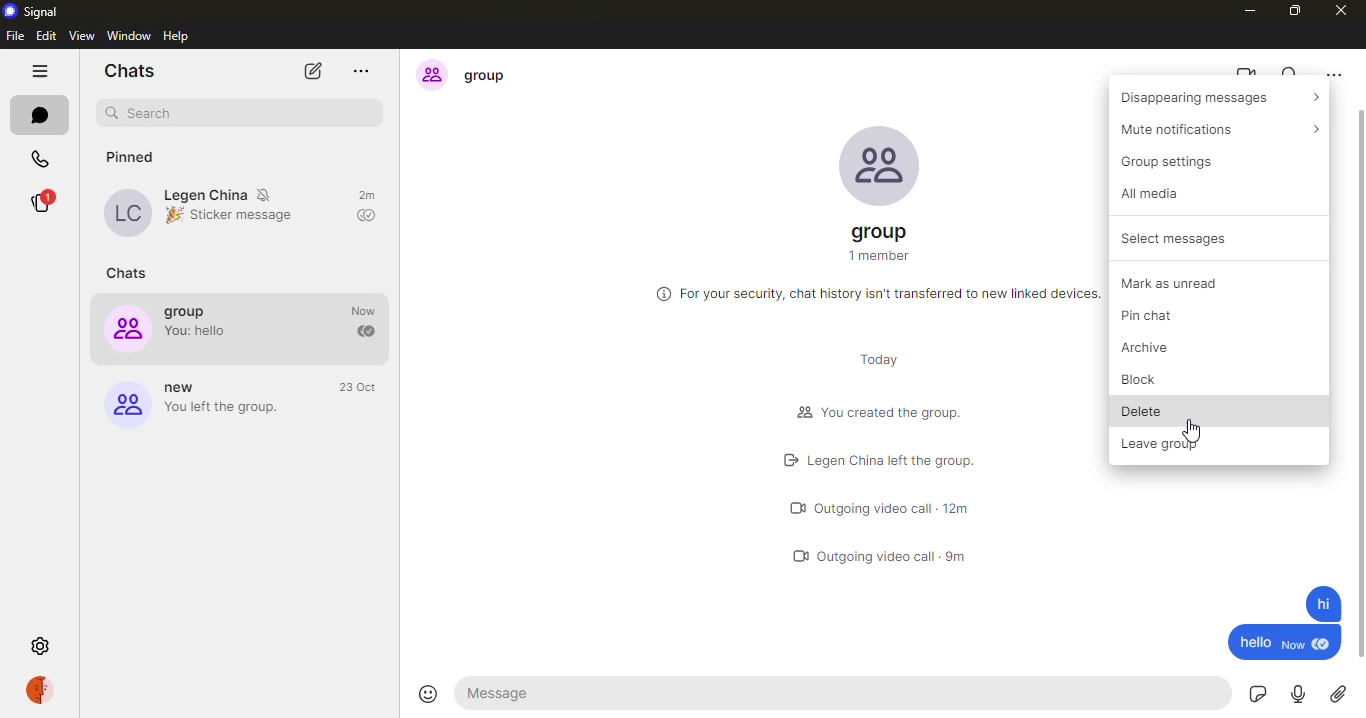 This screenshot has height=718, width=1366. What do you see at coordinates (37, 689) in the screenshot?
I see `profile` at bounding box center [37, 689].